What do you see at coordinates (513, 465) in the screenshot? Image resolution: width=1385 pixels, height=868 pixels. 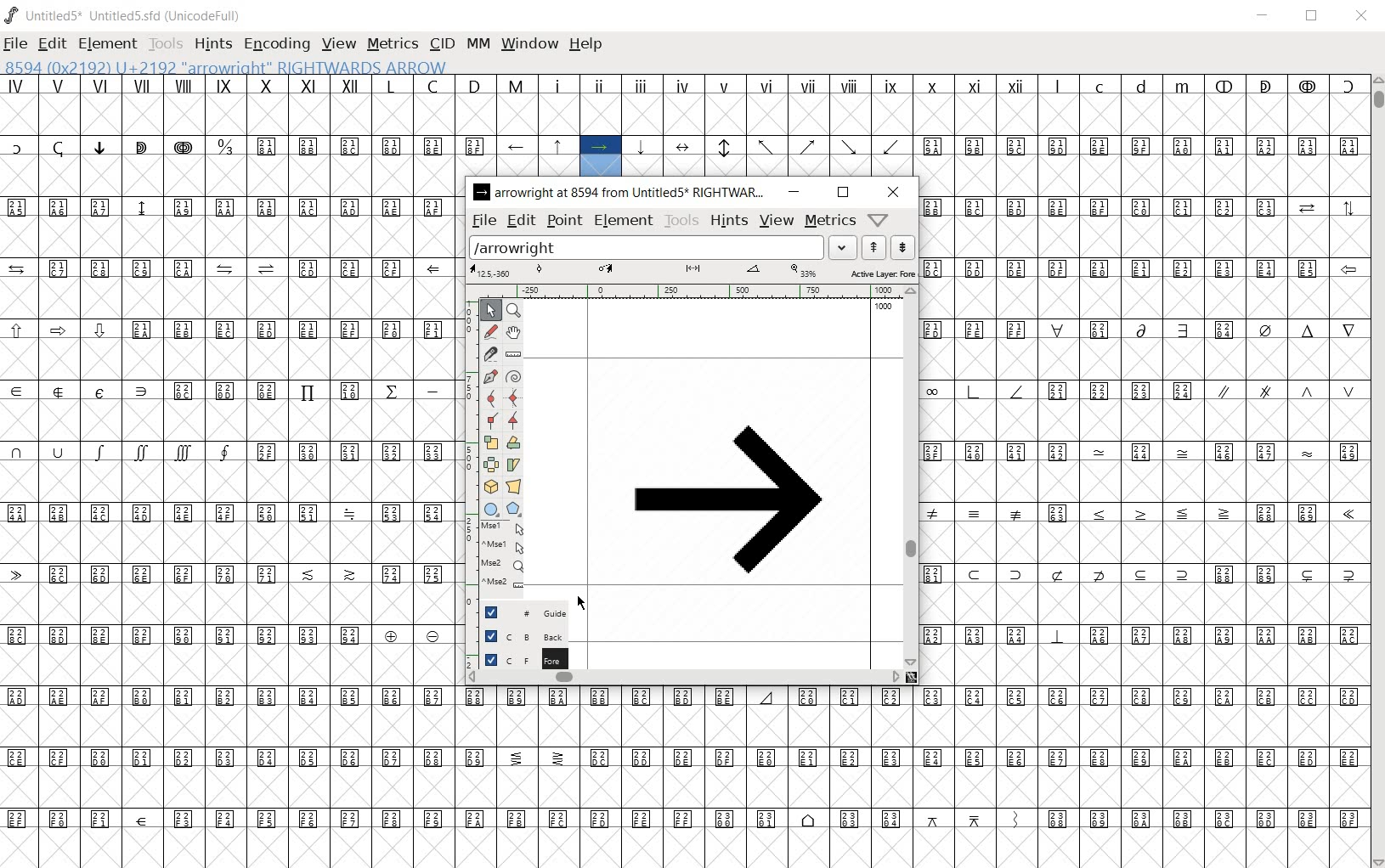 I see `Rotate the selection` at bounding box center [513, 465].